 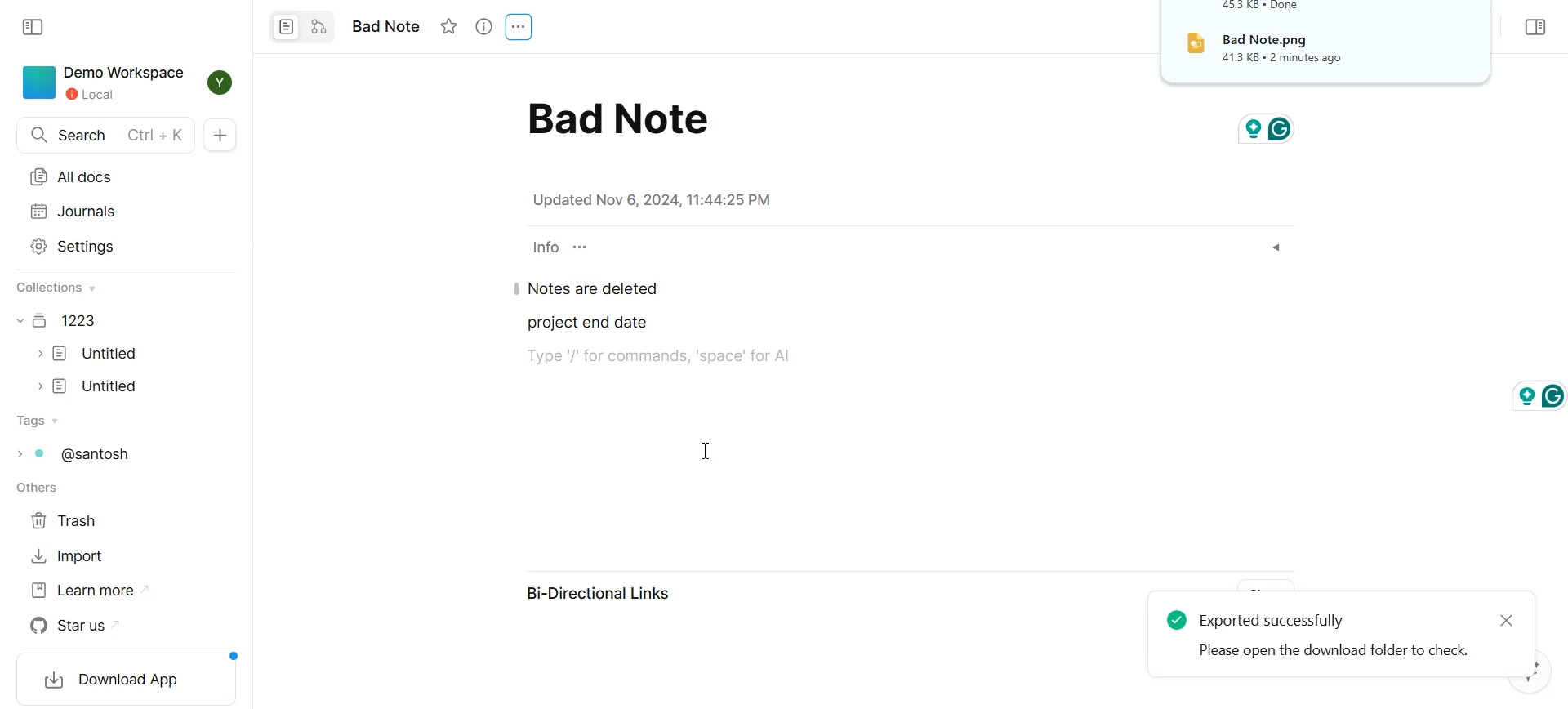 What do you see at coordinates (483, 26) in the screenshot?
I see `View Info` at bounding box center [483, 26].